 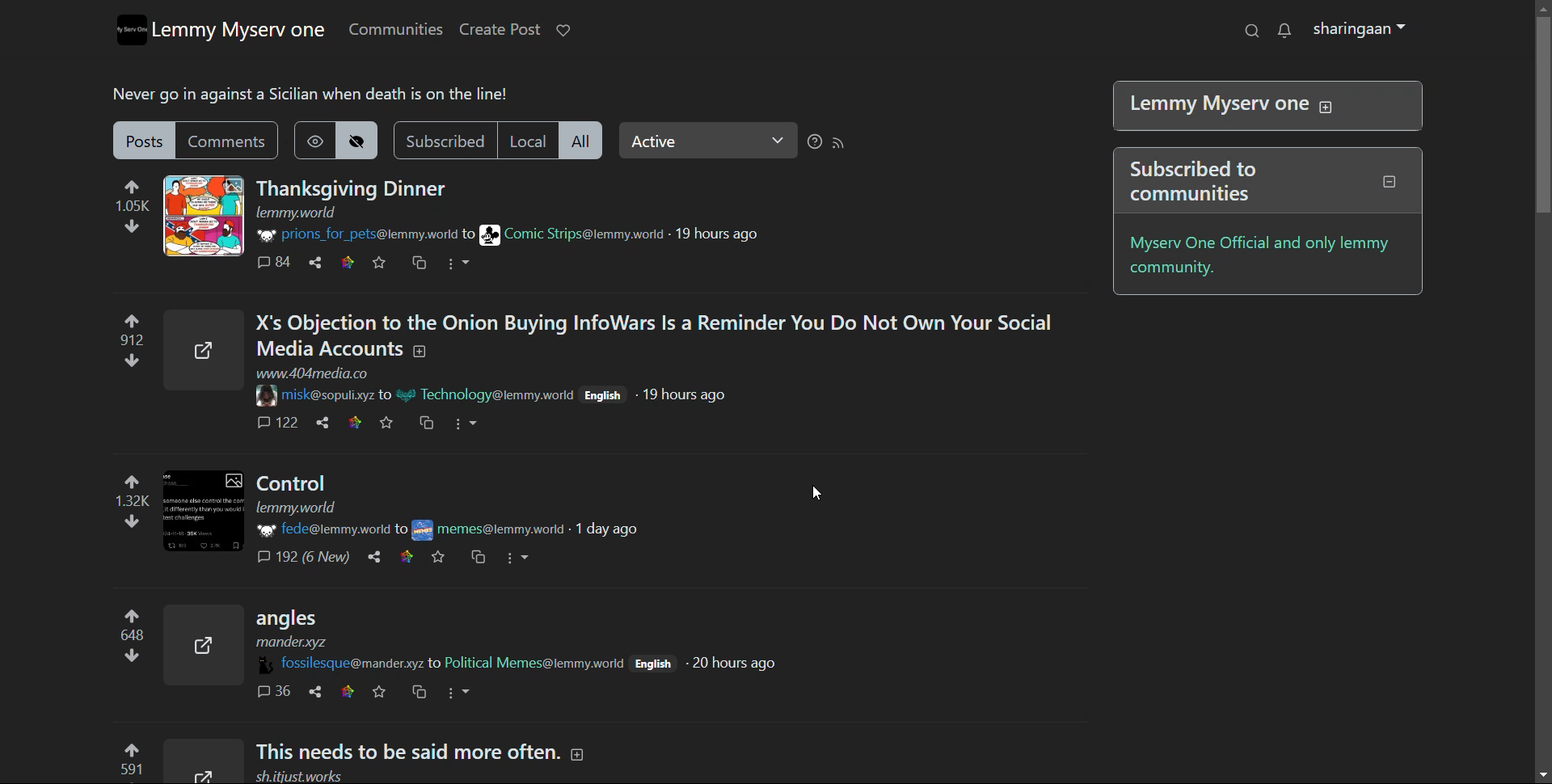 What do you see at coordinates (310, 691) in the screenshot?
I see `share` at bounding box center [310, 691].